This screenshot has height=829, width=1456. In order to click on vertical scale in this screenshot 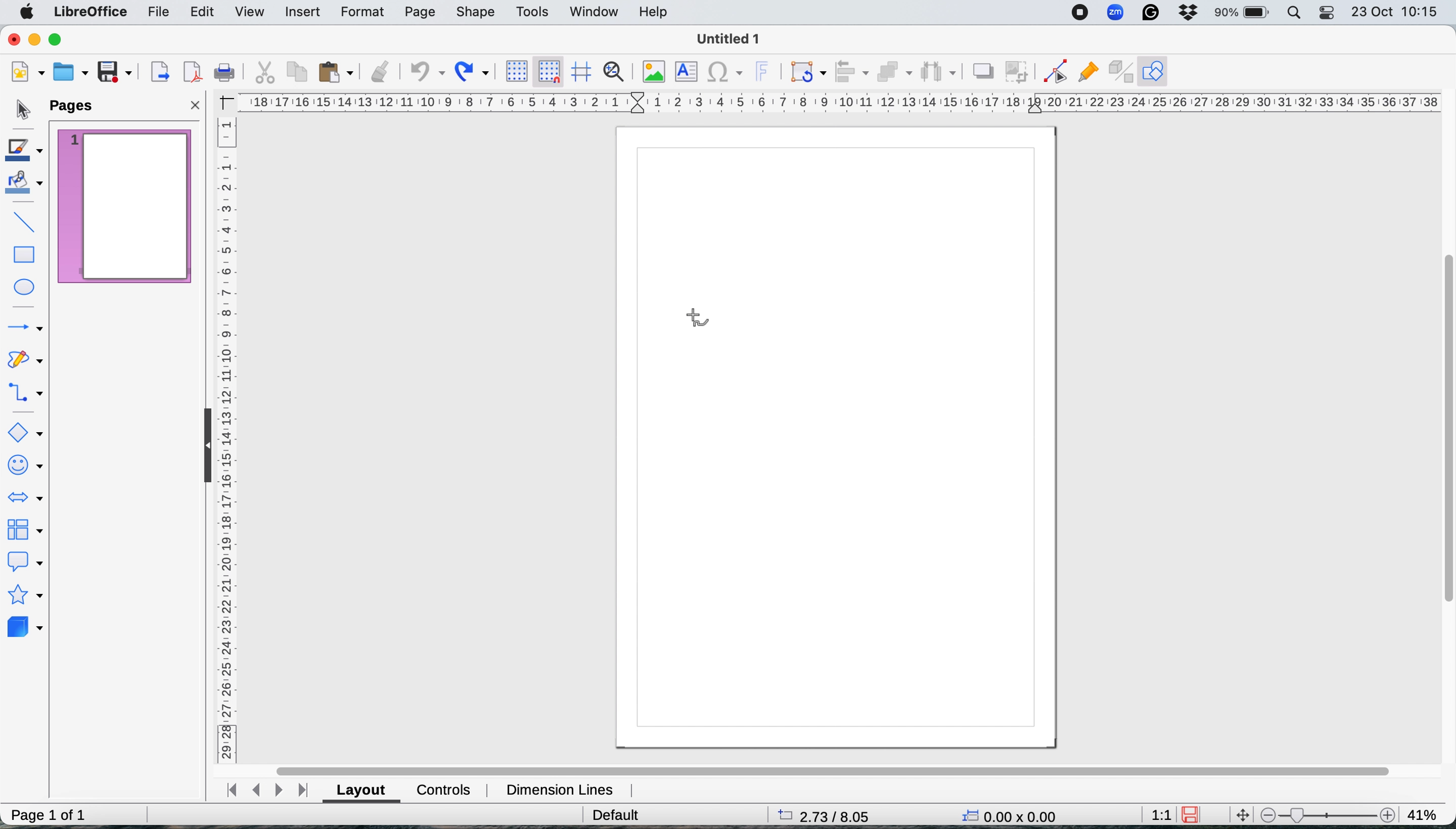, I will do `click(228, 441)`.